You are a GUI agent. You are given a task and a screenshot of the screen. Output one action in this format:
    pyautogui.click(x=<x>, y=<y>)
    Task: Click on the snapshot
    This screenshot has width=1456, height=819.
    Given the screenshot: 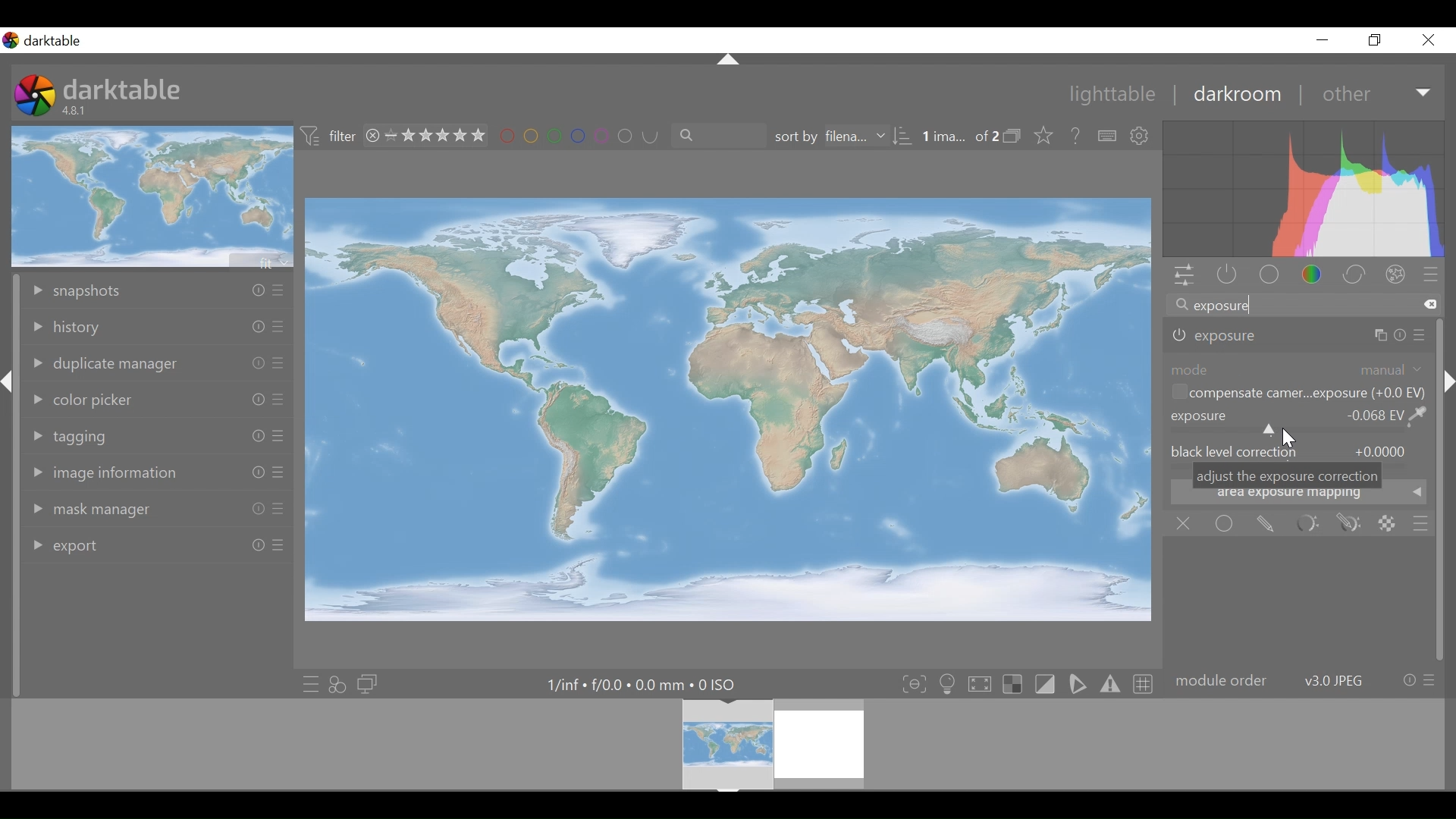 What is the action you would take?
    pyautogui.click(x=156, y=292)
    